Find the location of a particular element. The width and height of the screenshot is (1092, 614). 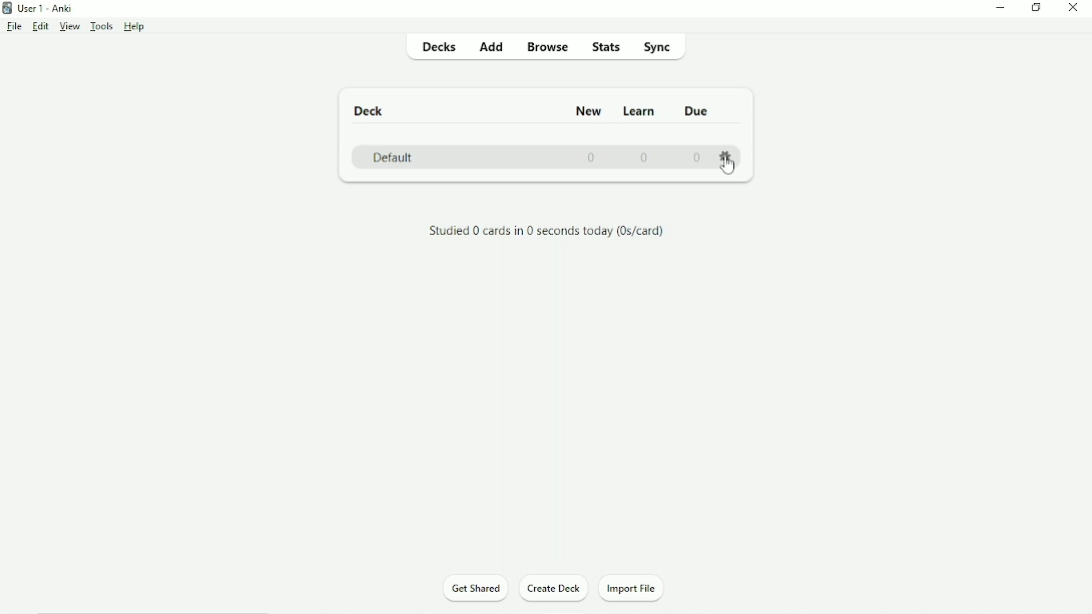

Sync is located at coordinates (666, 46).